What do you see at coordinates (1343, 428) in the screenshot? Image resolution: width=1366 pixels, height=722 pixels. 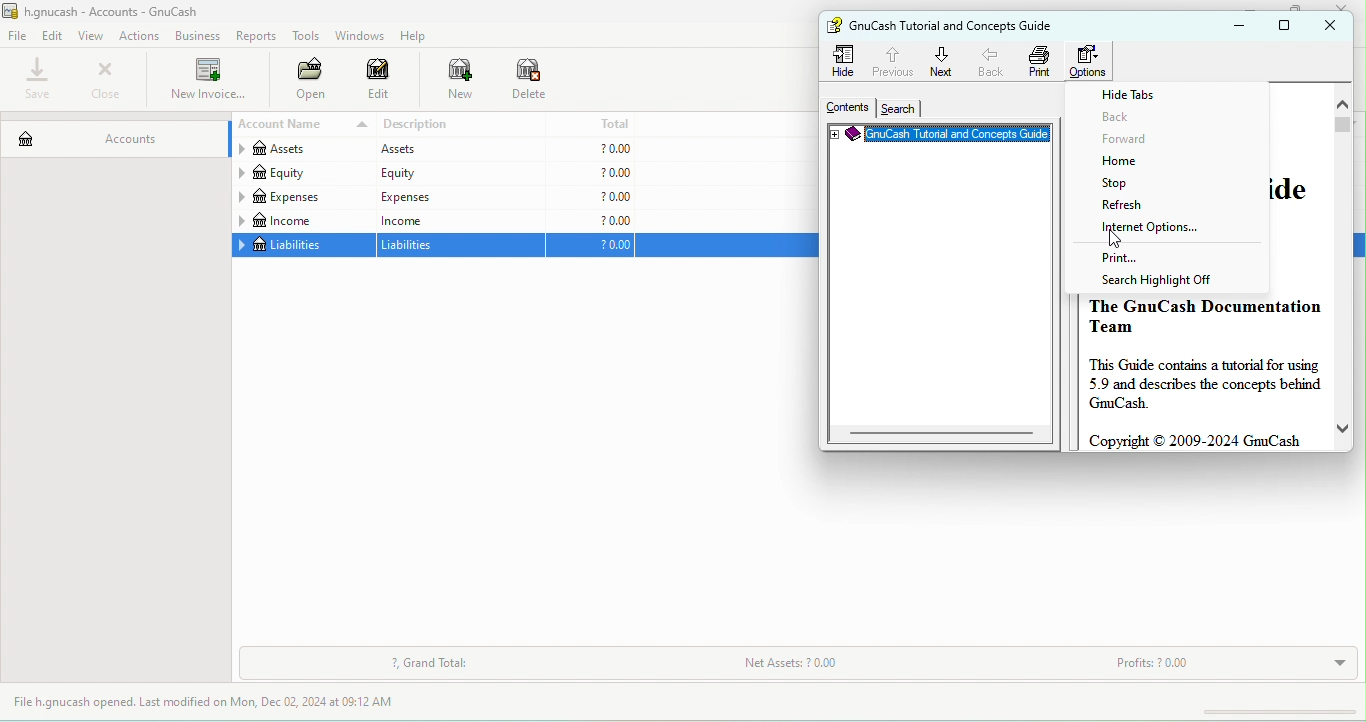 I see `move down` at bounding box center [1343, 428].